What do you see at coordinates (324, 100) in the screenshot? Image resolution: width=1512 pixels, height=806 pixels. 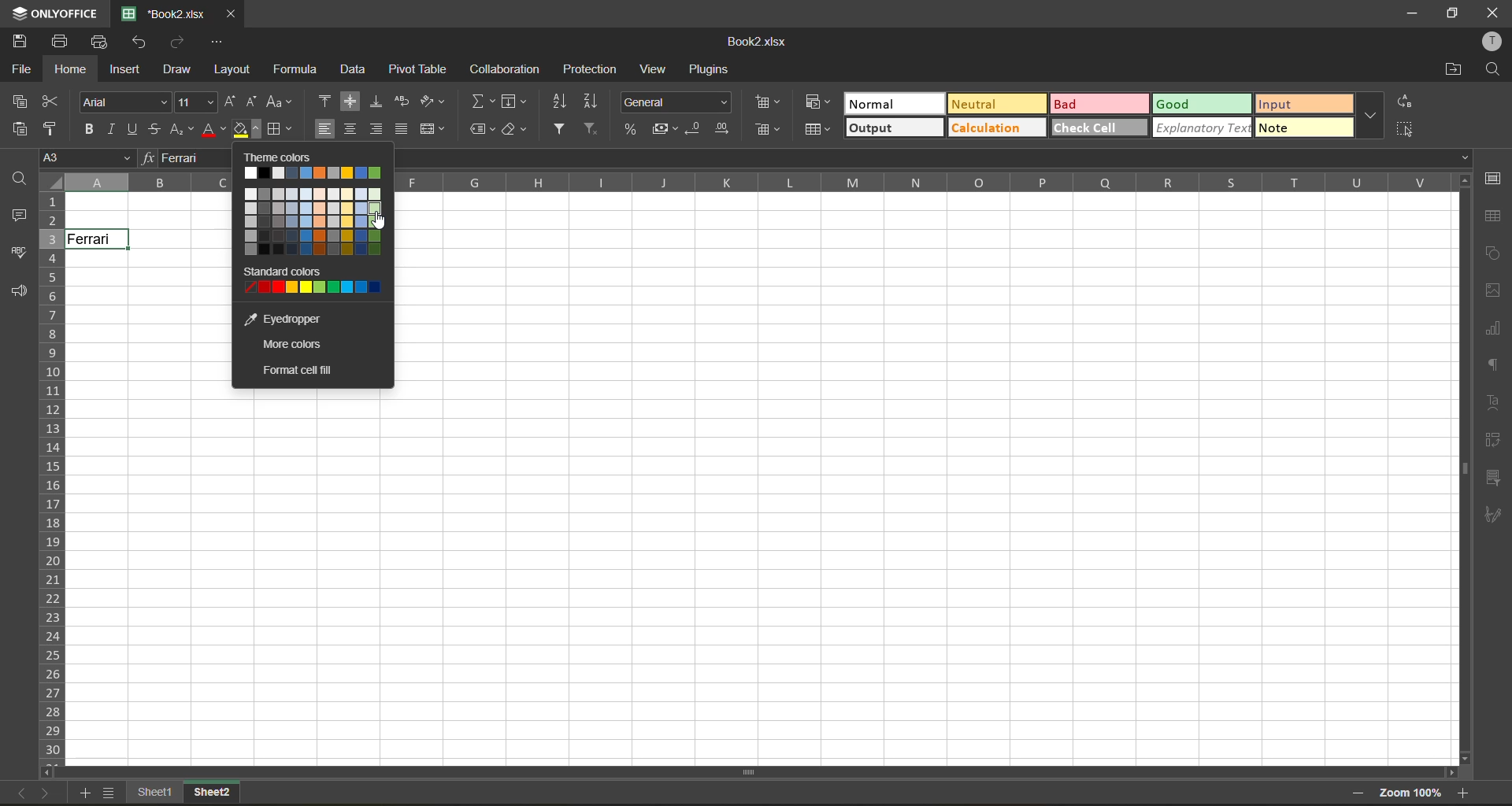 I see `align top` at bounding box center [324, 100].